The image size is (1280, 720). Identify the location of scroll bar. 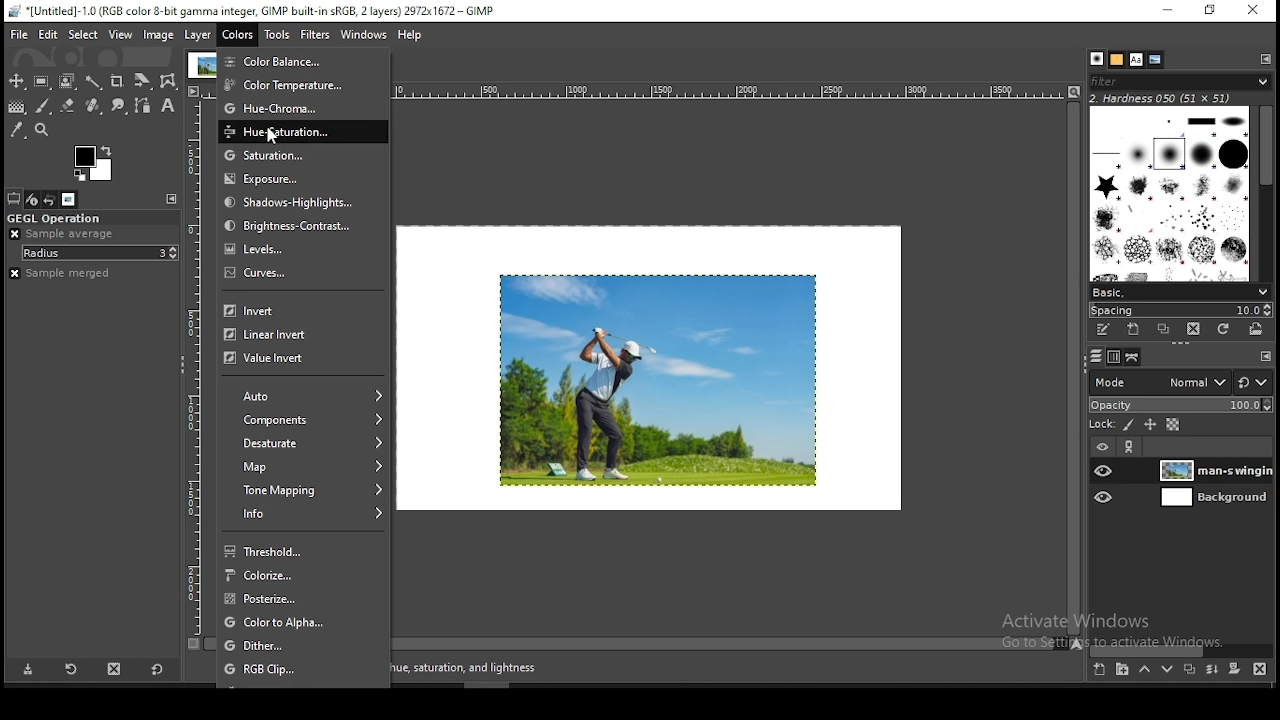
(1073, 369).